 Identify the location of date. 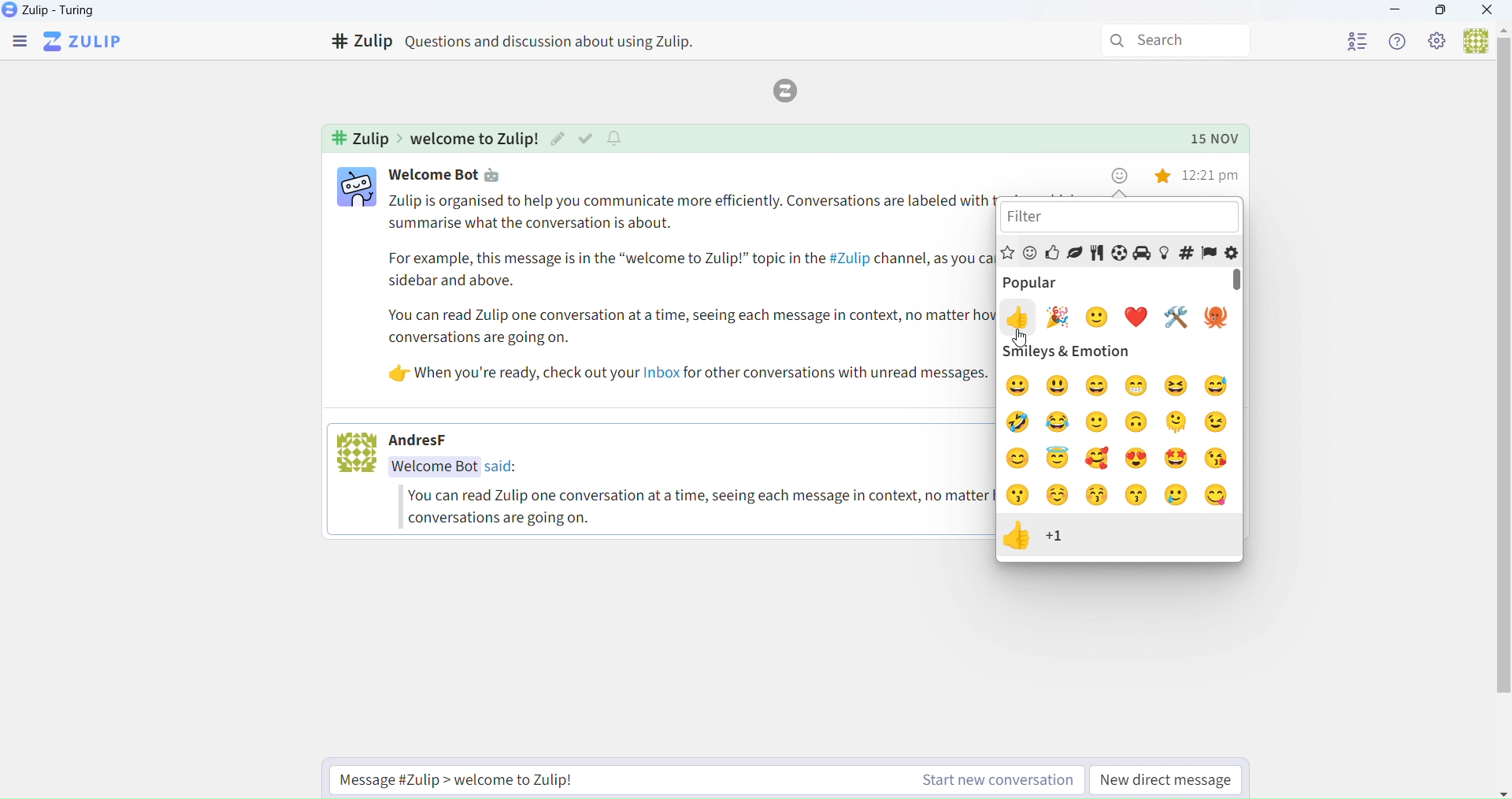
(1217, 138).